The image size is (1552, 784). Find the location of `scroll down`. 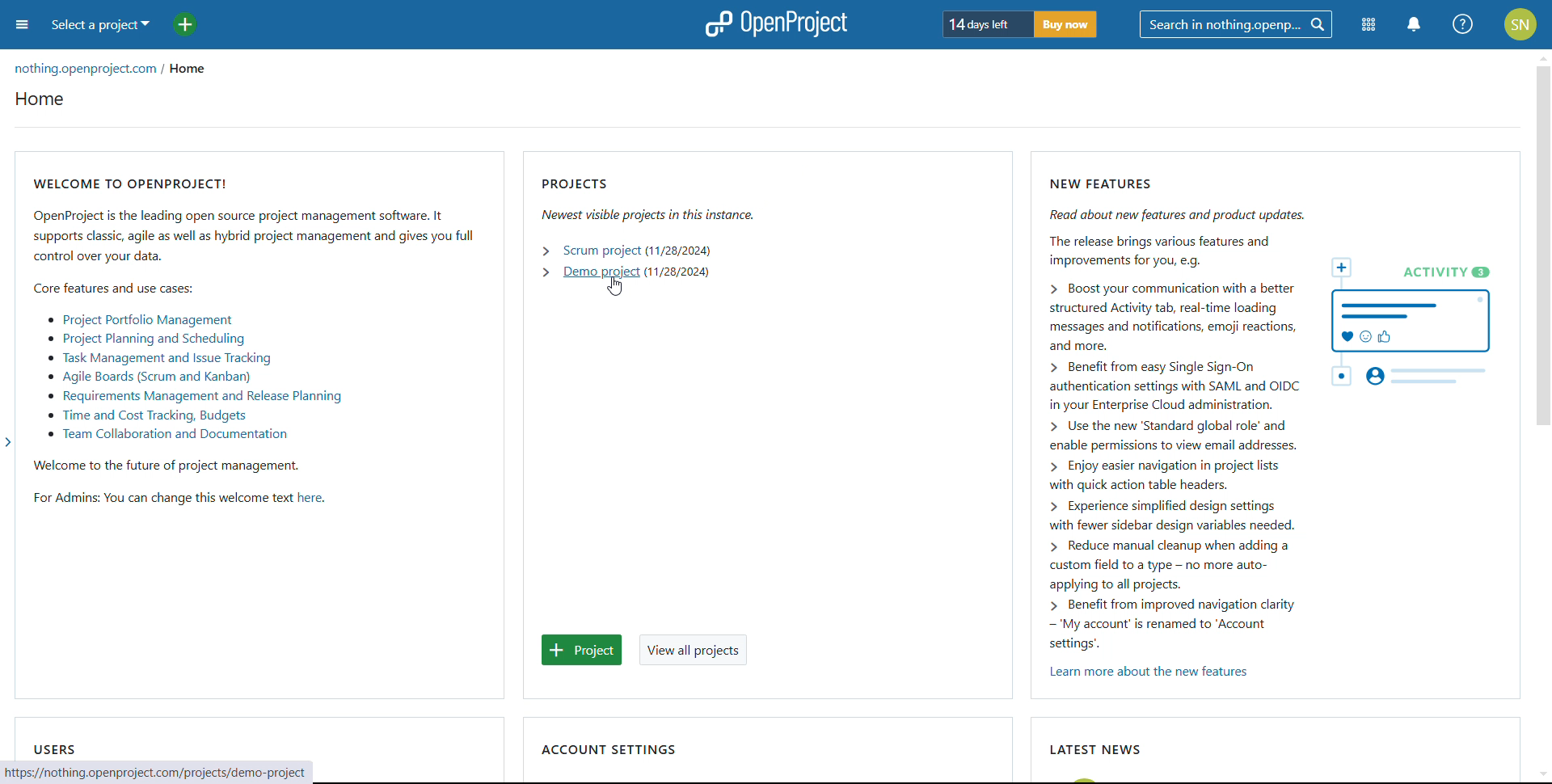

scroll down is located at coordinates (1542, 774).